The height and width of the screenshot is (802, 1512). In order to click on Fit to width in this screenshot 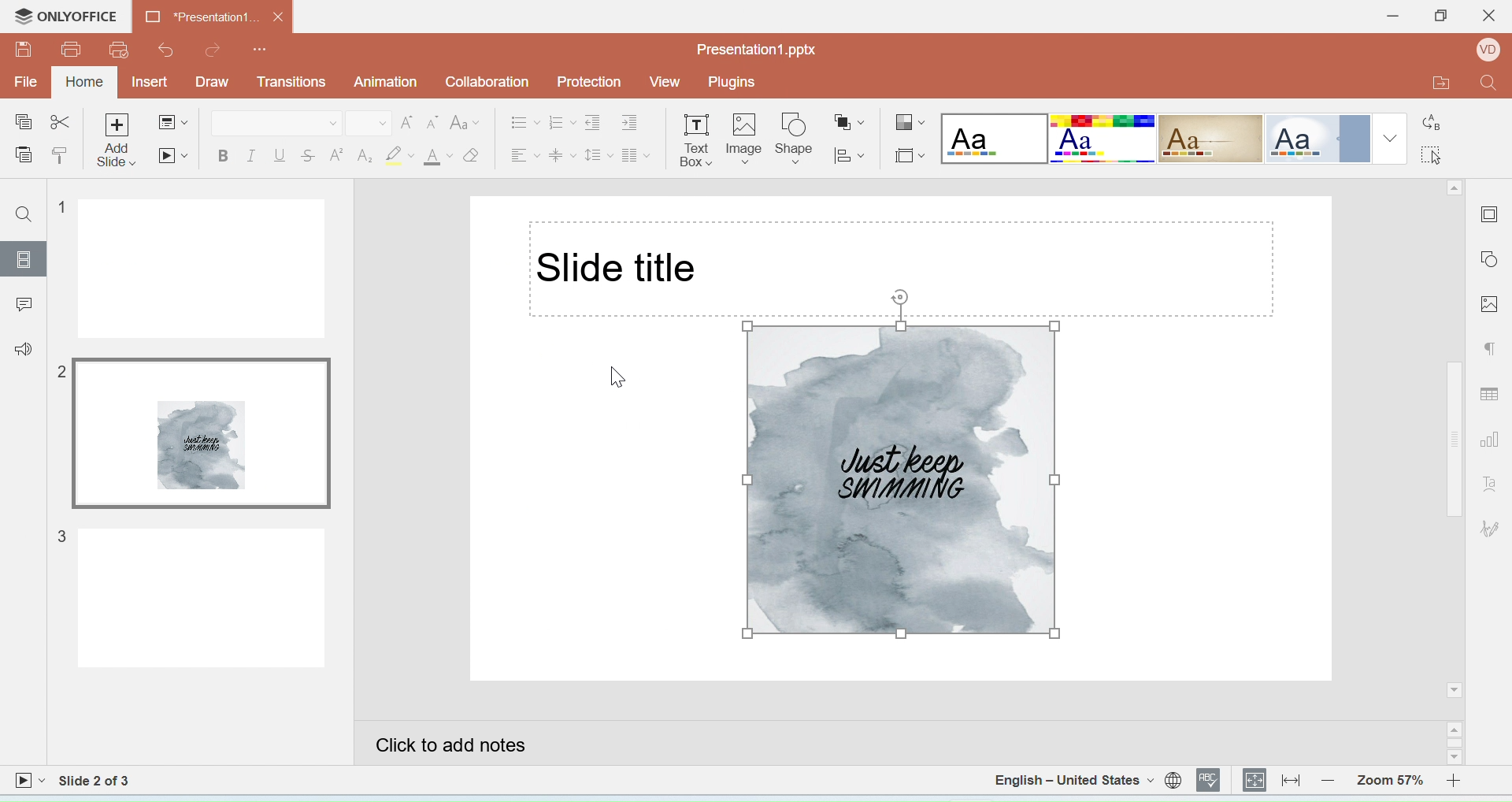, I will do `click(1291, 780)`.